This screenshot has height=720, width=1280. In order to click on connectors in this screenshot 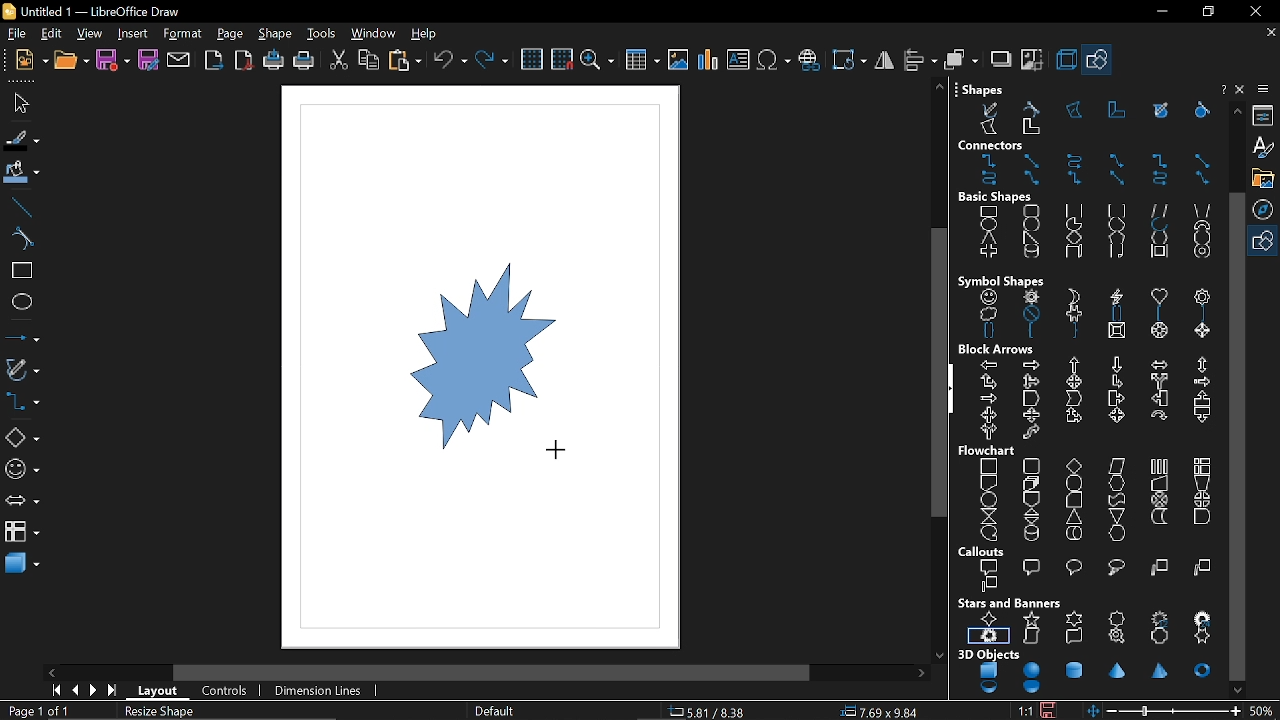, I will do `click(21, 405)`.